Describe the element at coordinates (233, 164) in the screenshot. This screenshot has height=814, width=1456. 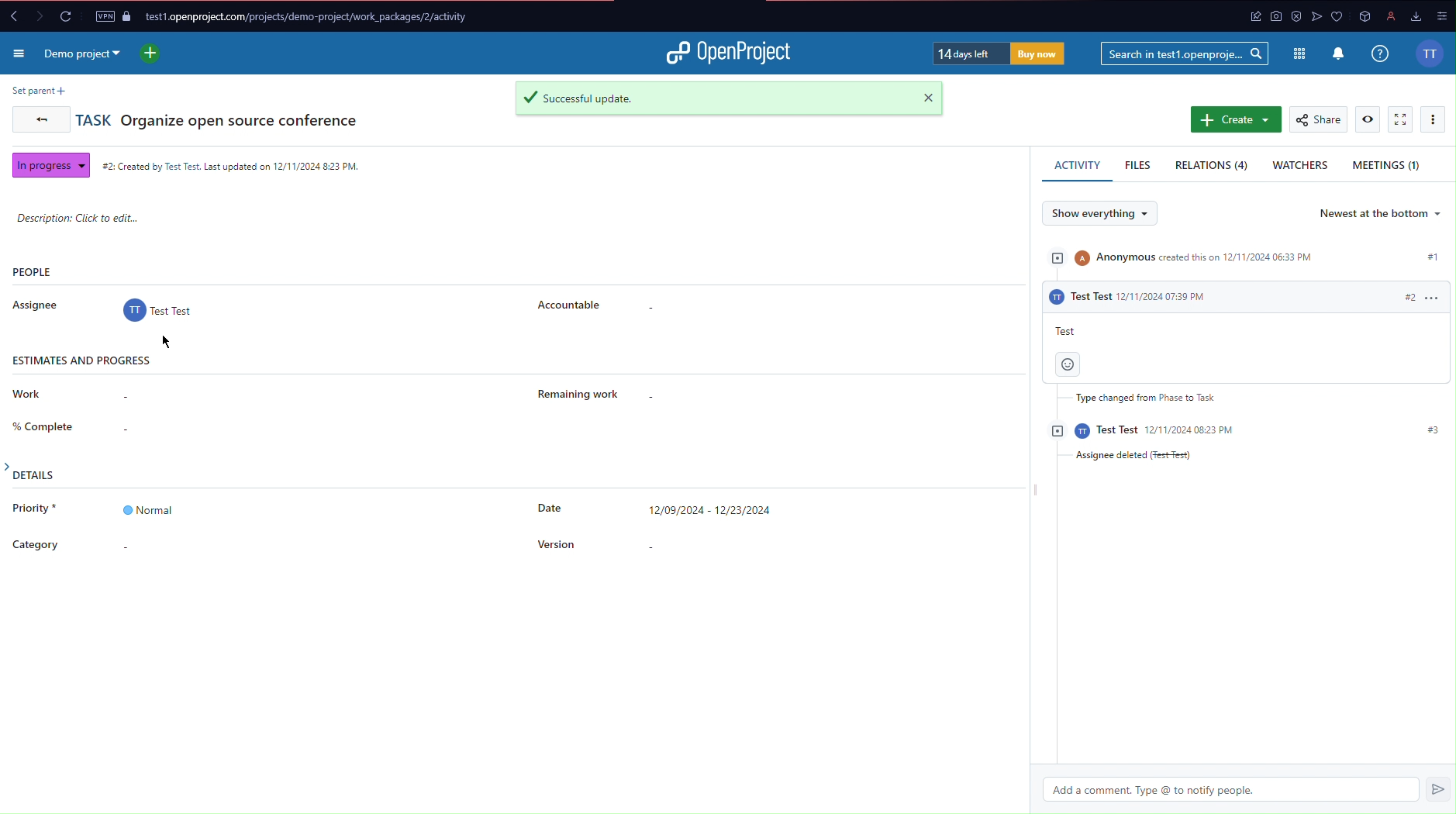
I see `Created Time` at that location.